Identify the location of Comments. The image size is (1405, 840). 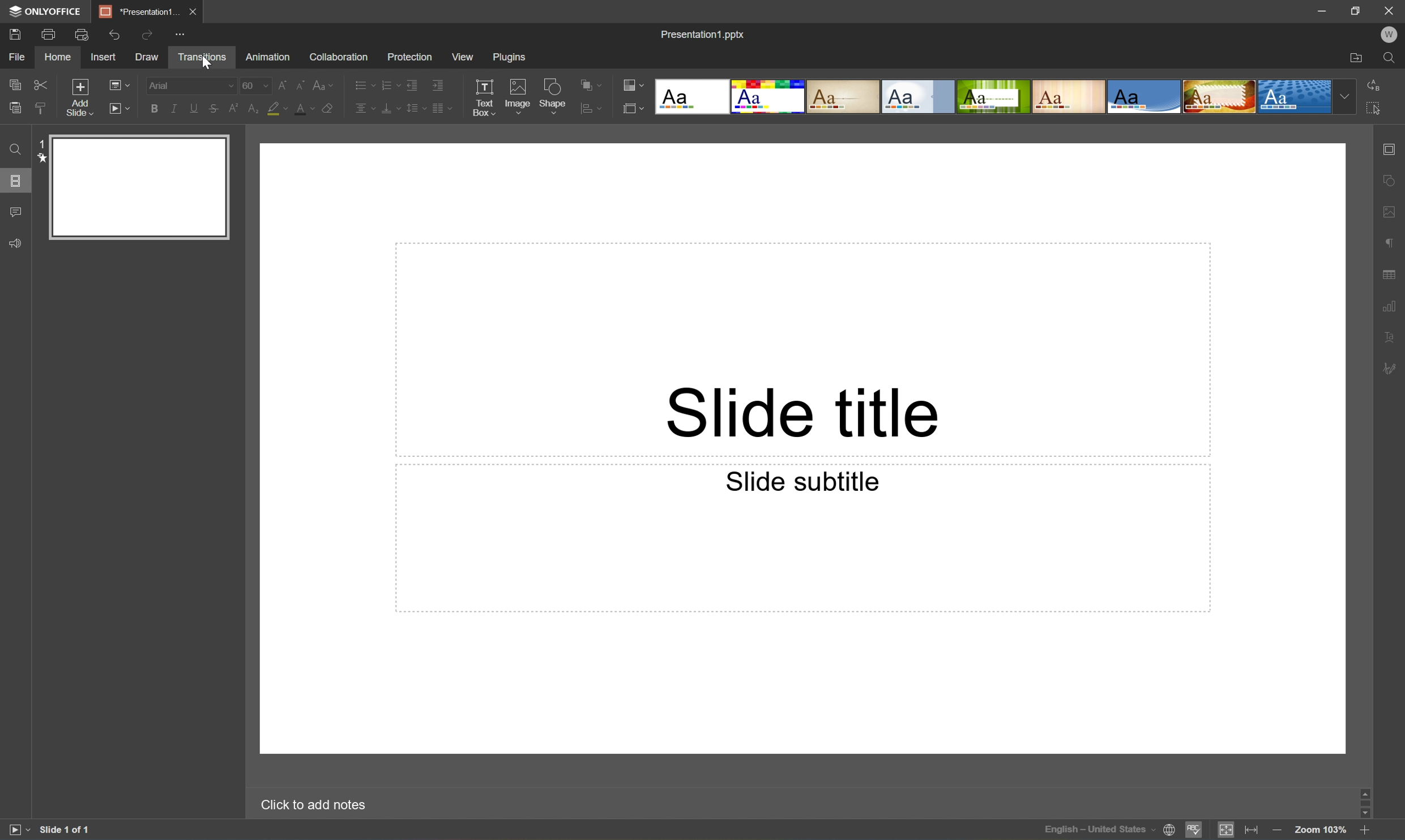
(15, 213).